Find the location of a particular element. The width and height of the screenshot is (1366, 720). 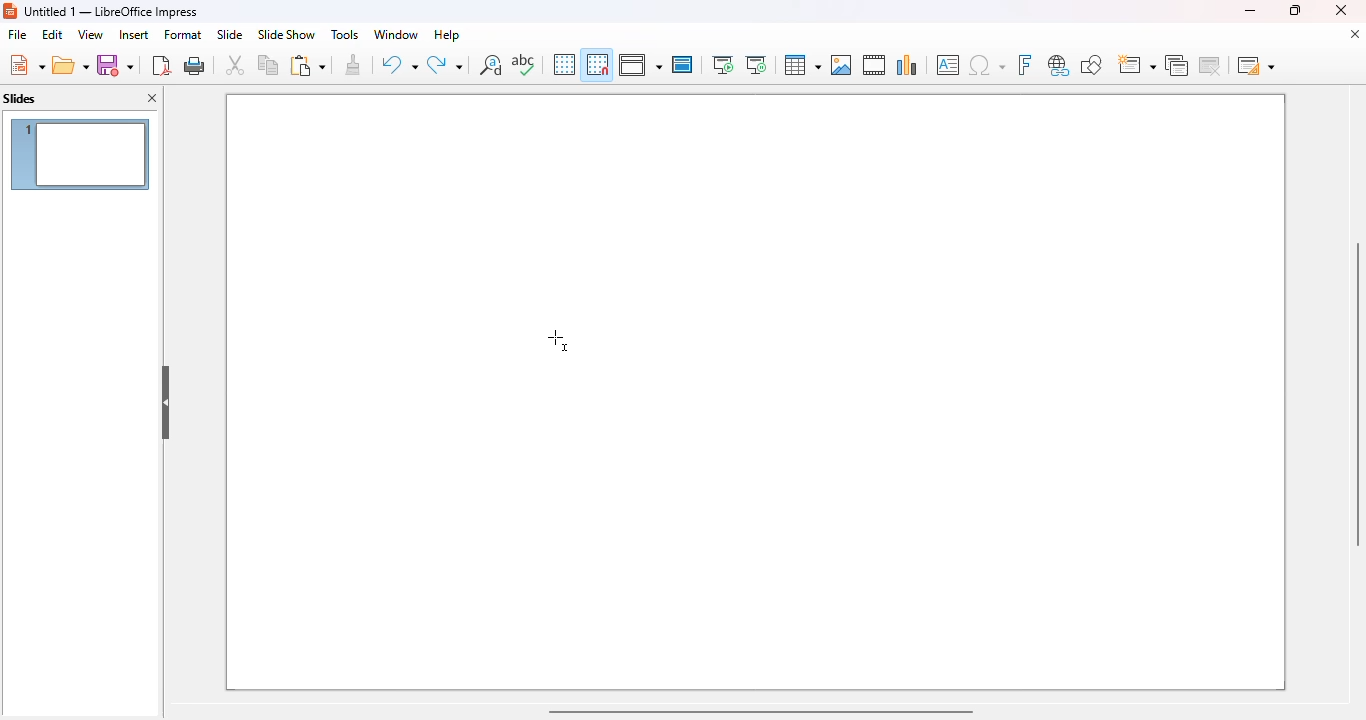

tools is located at coordinates (344, 34).